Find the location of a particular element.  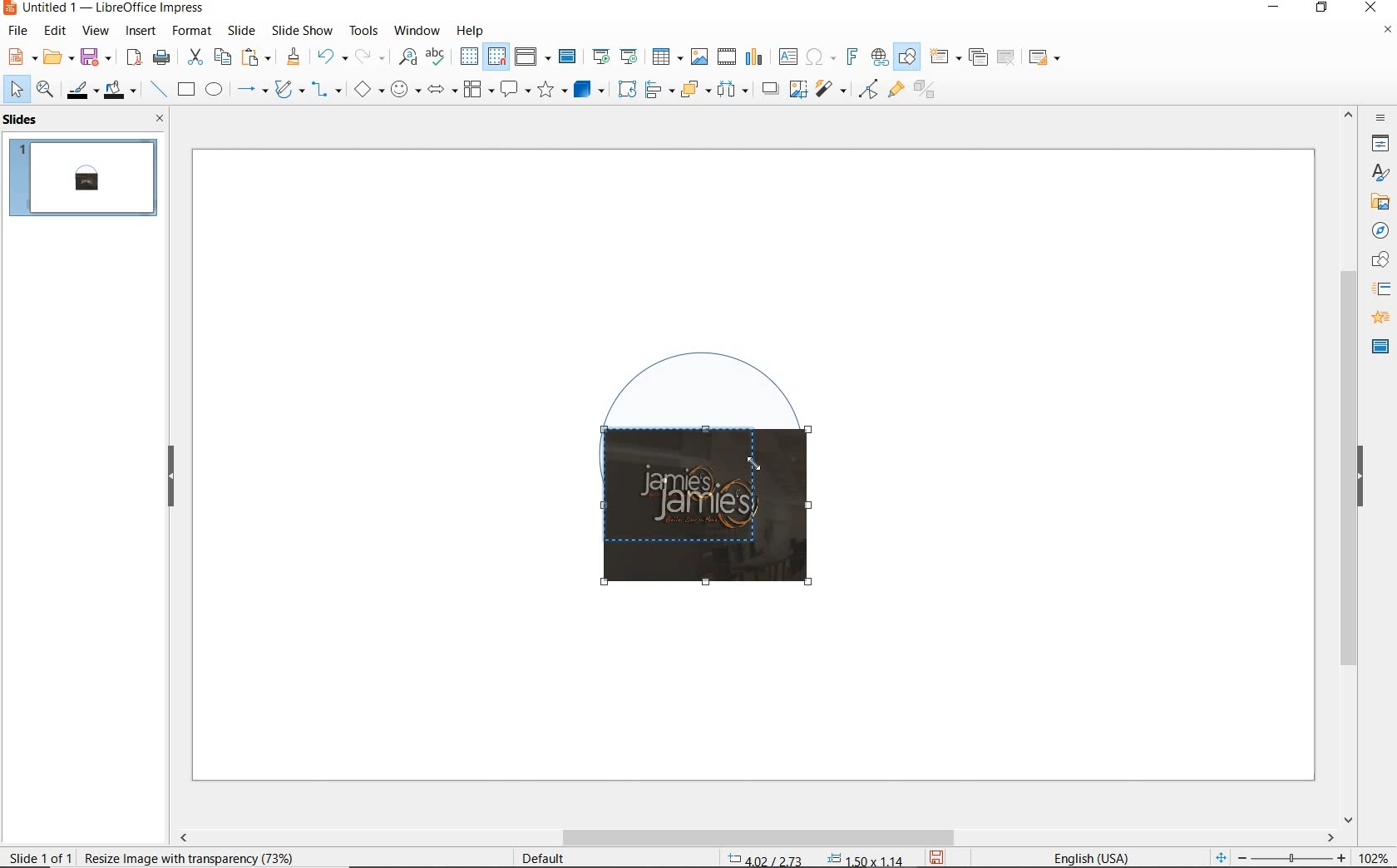

Default is located at coordinates (545, 858).